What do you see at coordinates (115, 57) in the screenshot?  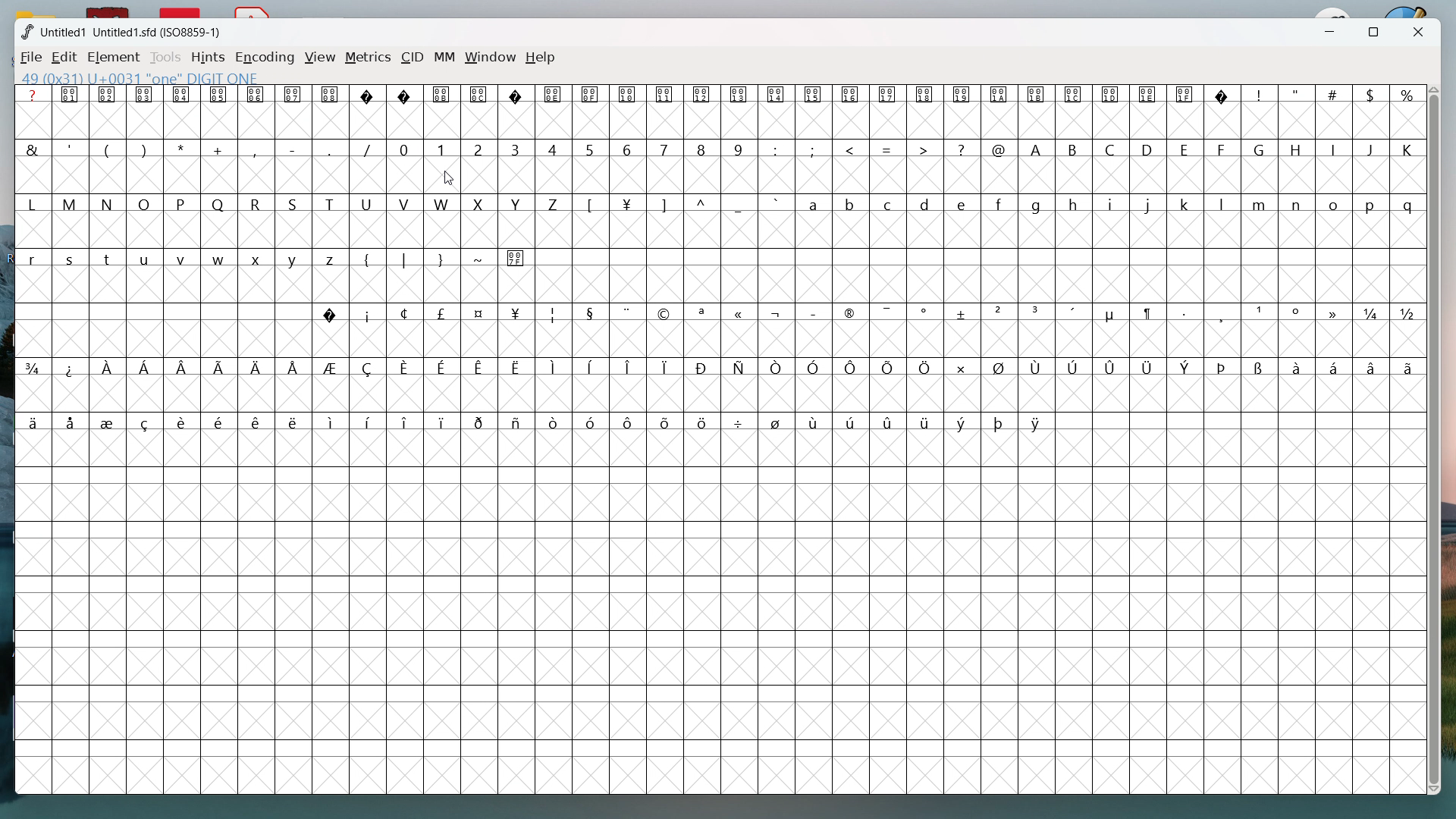 I see `element` at bounding box center [115, 57].